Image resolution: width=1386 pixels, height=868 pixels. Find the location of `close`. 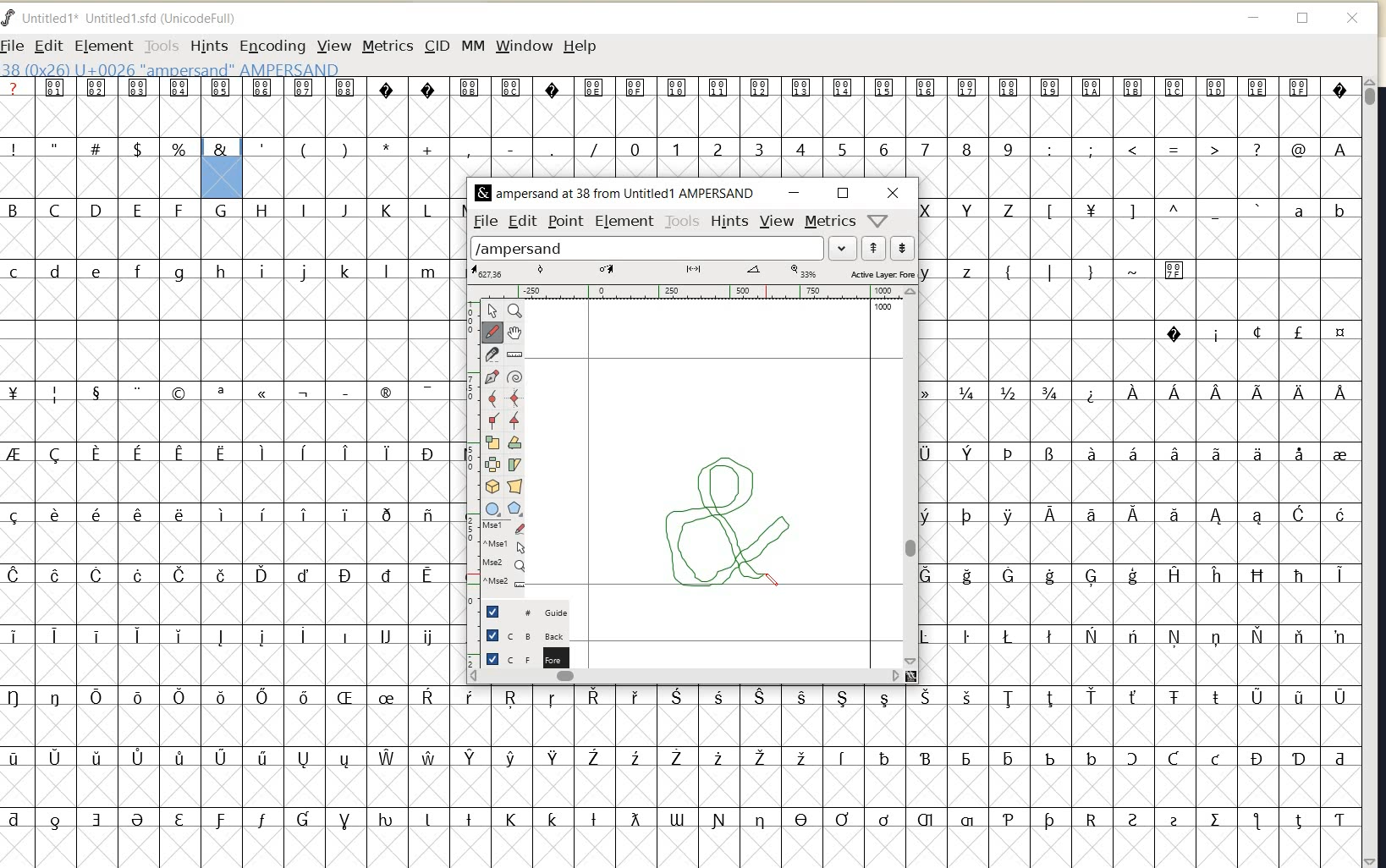

close is located at coordinates (1354, 18).